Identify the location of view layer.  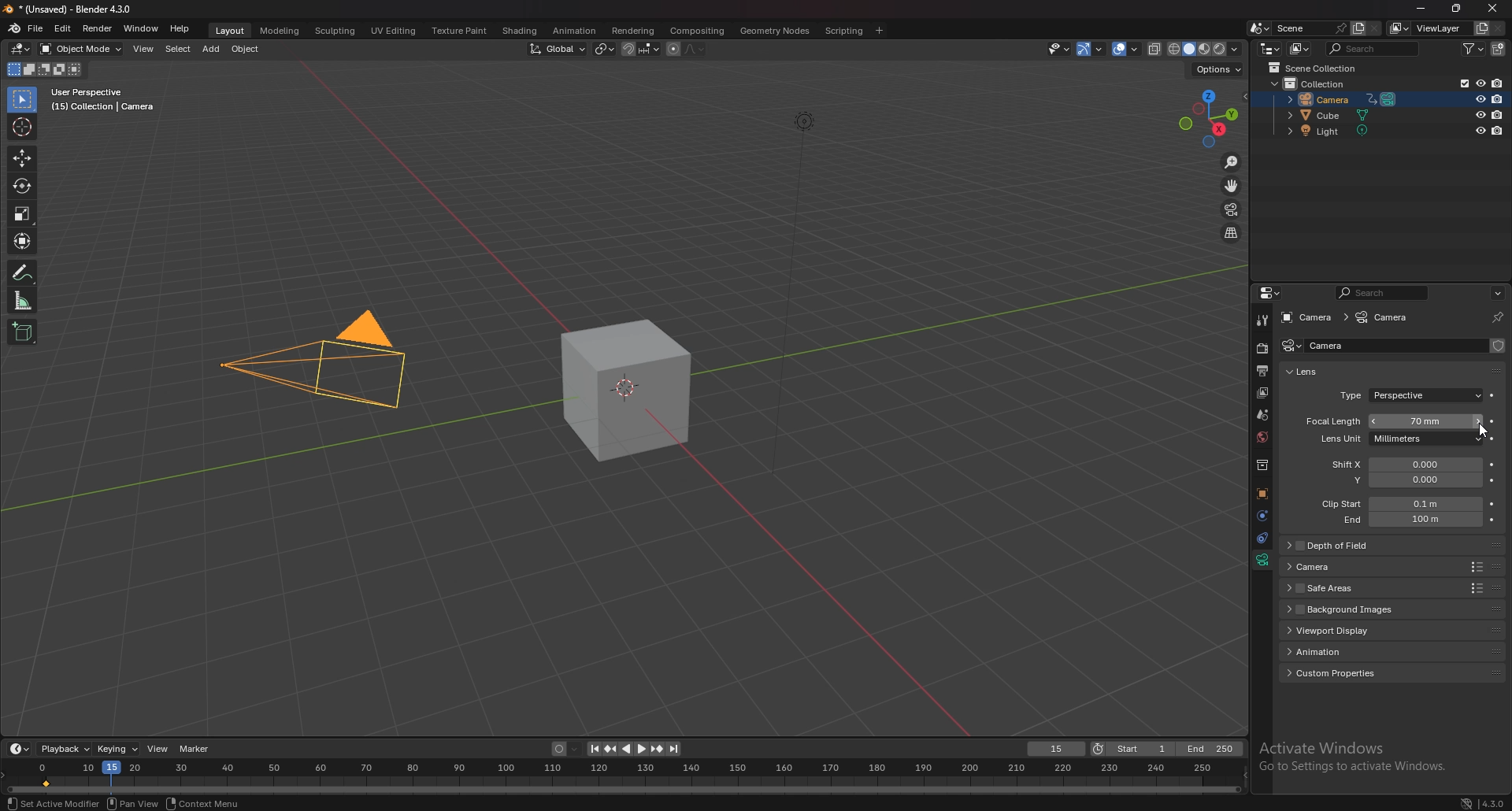
(1430, 28).